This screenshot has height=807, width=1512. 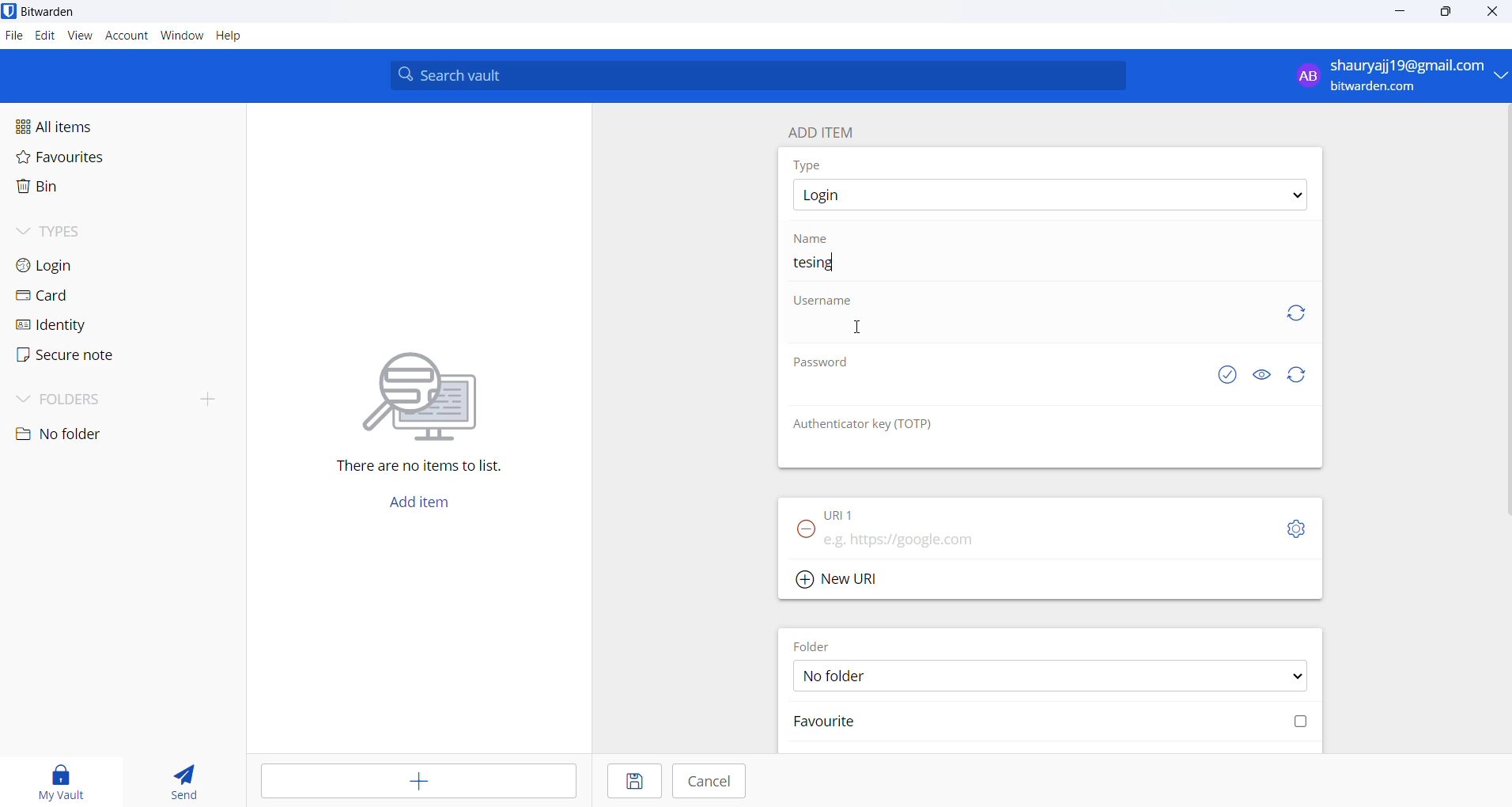 I want to click on Name, so click(x=815, y=237).